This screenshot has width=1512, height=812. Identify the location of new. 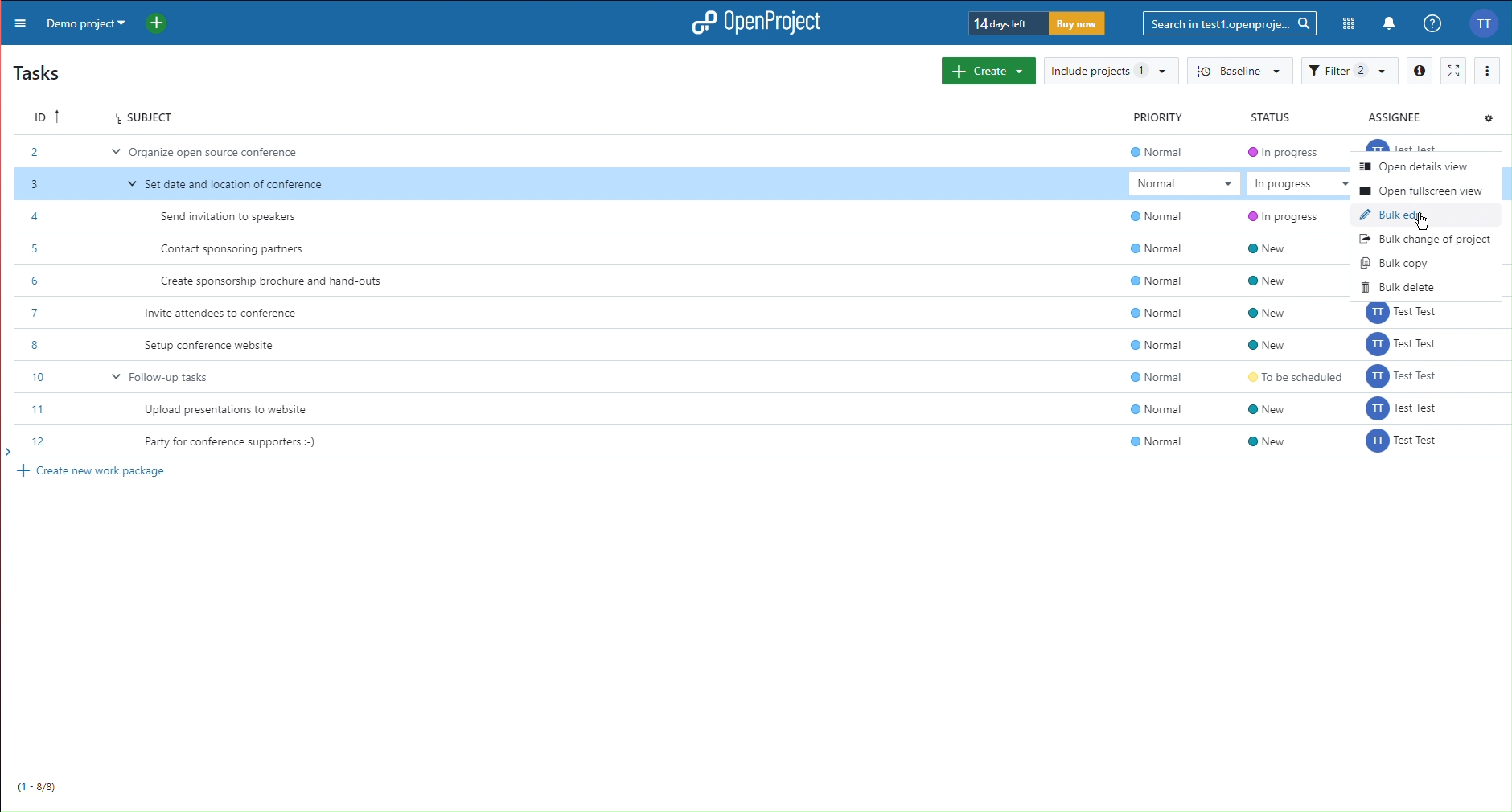
(1268, 428).